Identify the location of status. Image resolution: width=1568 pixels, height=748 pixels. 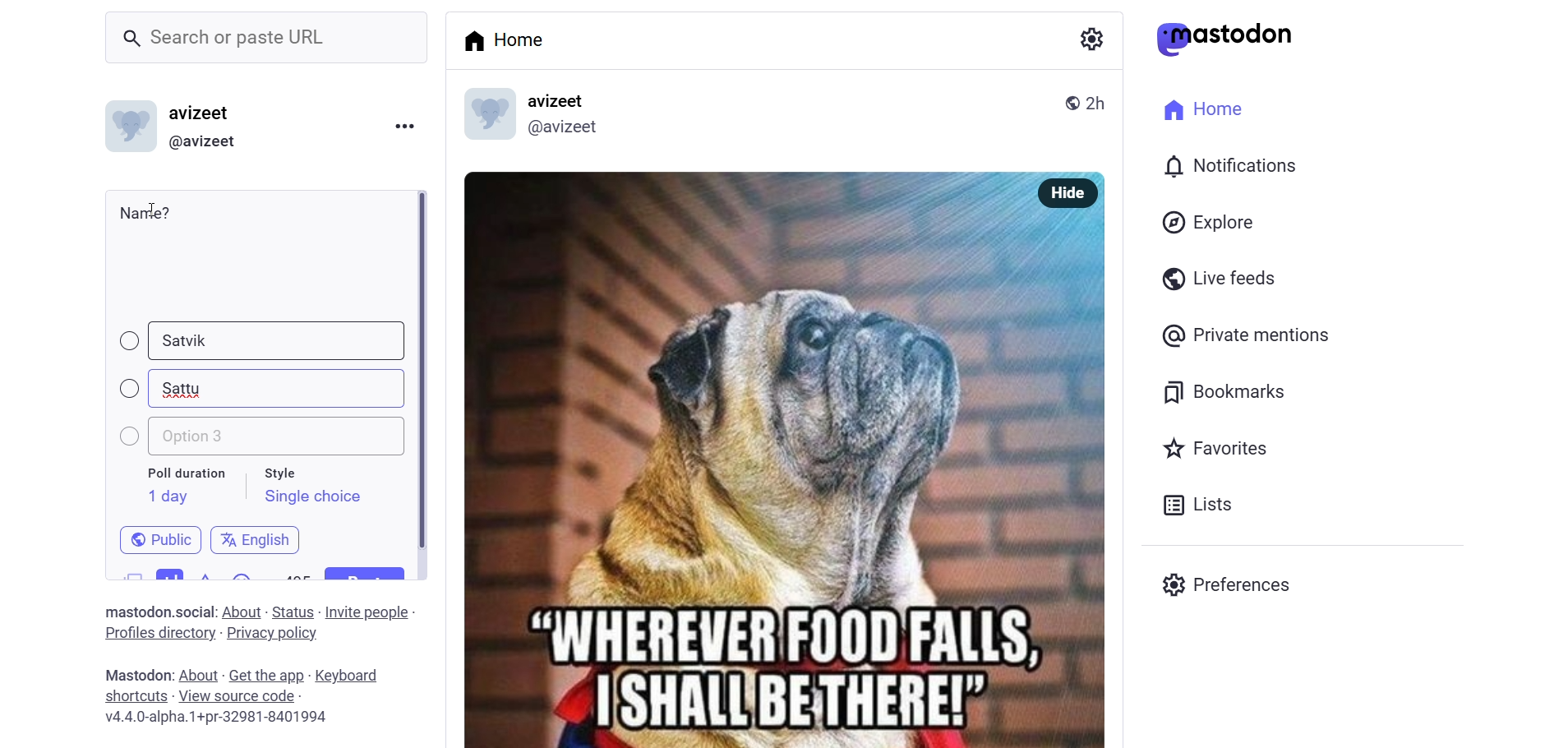
(293, 612).